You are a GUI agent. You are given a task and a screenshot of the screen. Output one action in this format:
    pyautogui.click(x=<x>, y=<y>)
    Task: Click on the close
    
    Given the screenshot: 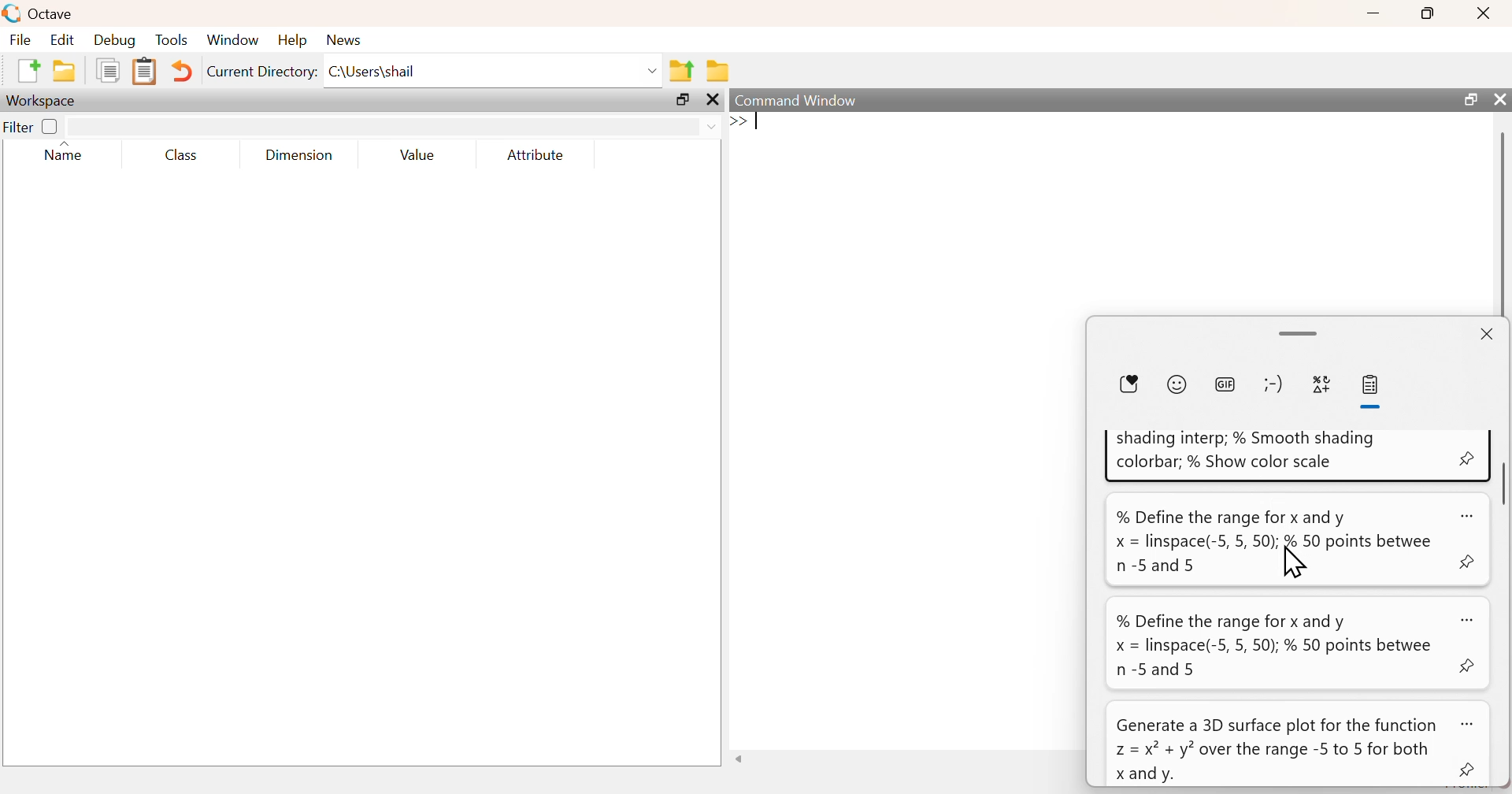 What is the action you would take?
    pyautogui.click(x=1488, y=333)
    